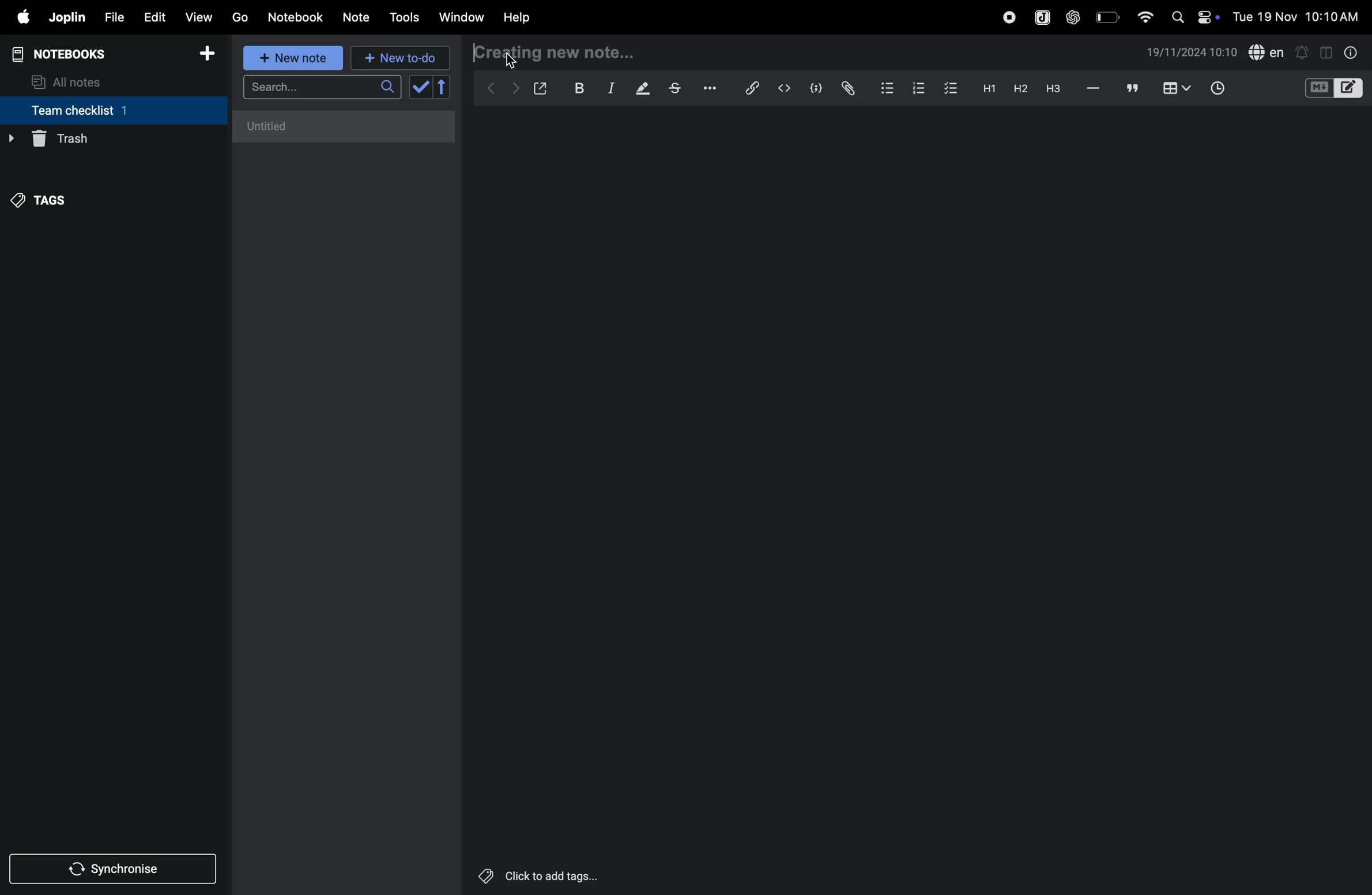 This screenshot has height=895, width=1372. Describe the element at coordinates (1039, 16) in the screenshot. I see `joplin` at that location.